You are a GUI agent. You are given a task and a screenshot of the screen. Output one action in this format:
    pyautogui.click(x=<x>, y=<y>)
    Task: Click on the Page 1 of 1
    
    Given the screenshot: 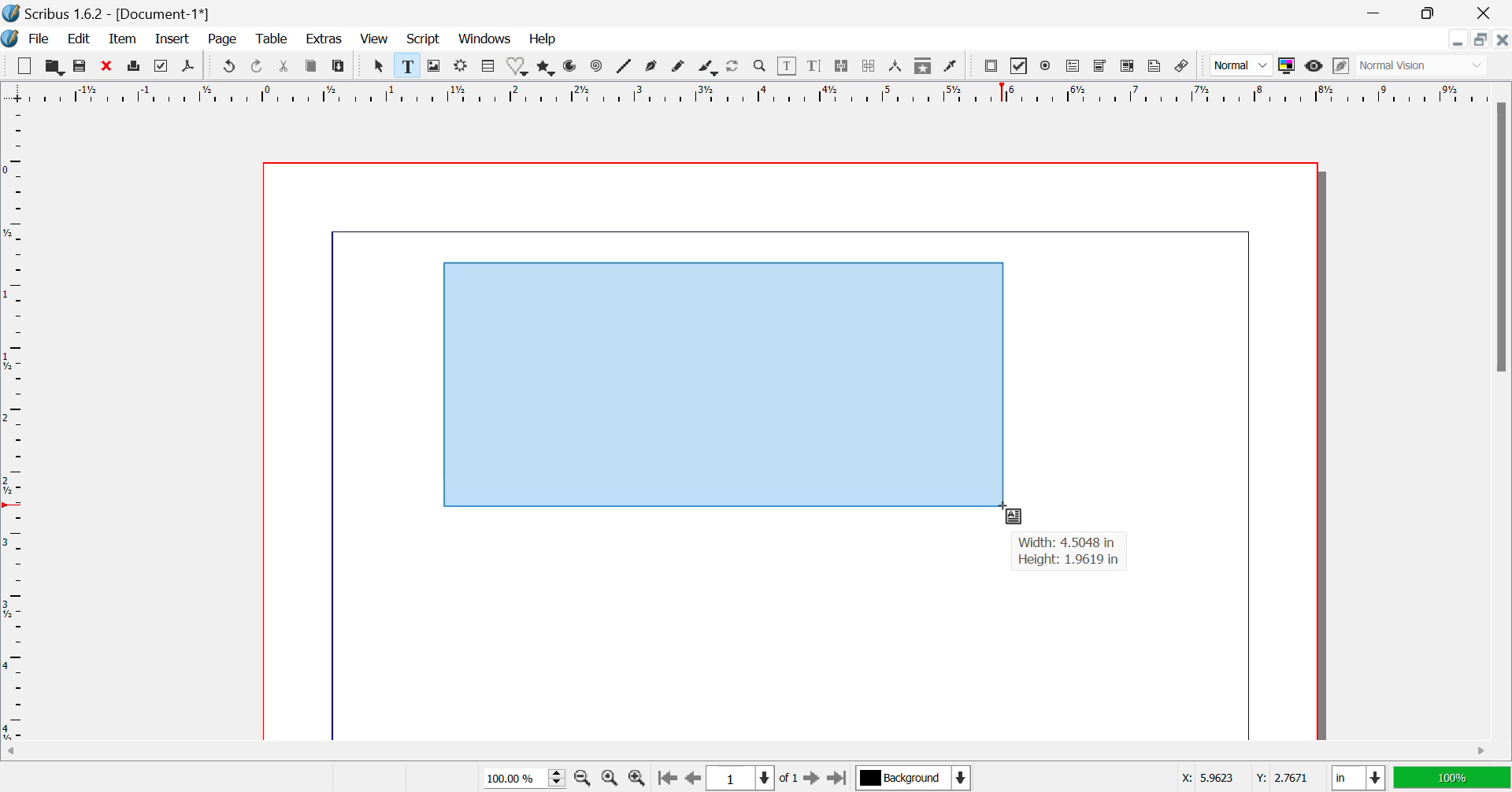 What is the action you would take?
    pyautogui.click(x=752, y=777)
    